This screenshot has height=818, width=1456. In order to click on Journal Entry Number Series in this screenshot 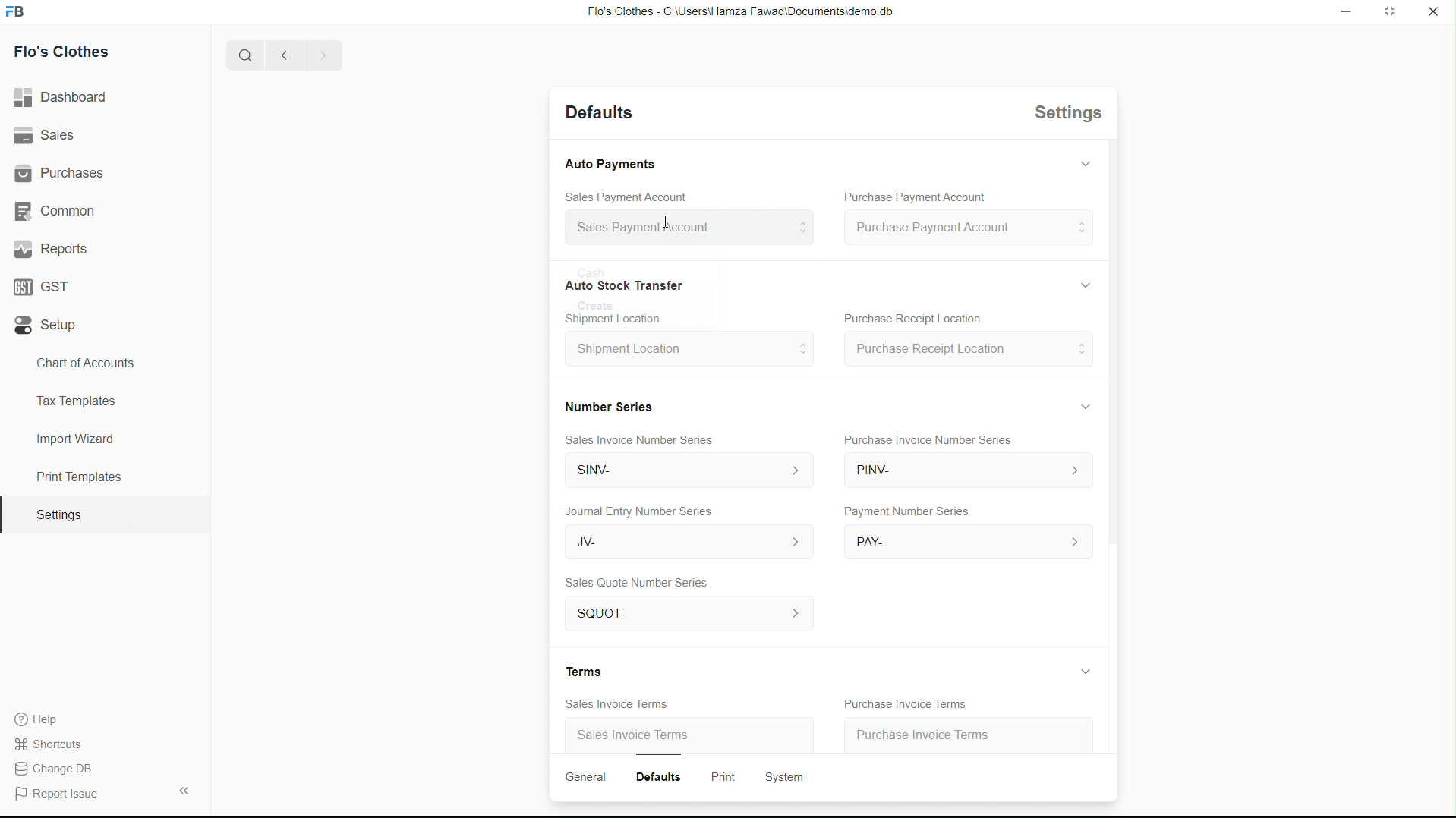, I will do `click(635, 512)`.